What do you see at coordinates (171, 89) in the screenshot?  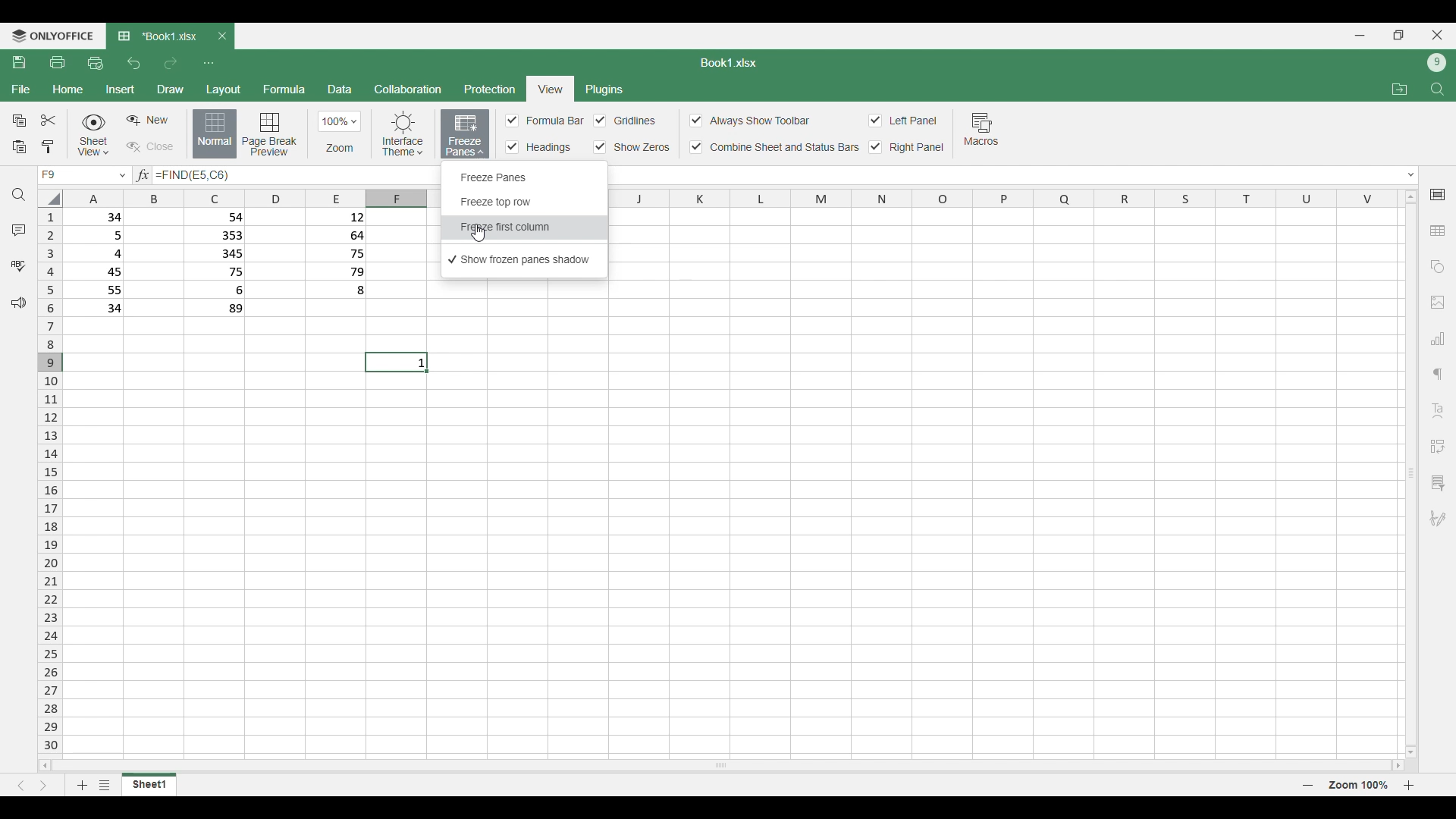 I see `Draw menu` at bounding box center [171, 89].